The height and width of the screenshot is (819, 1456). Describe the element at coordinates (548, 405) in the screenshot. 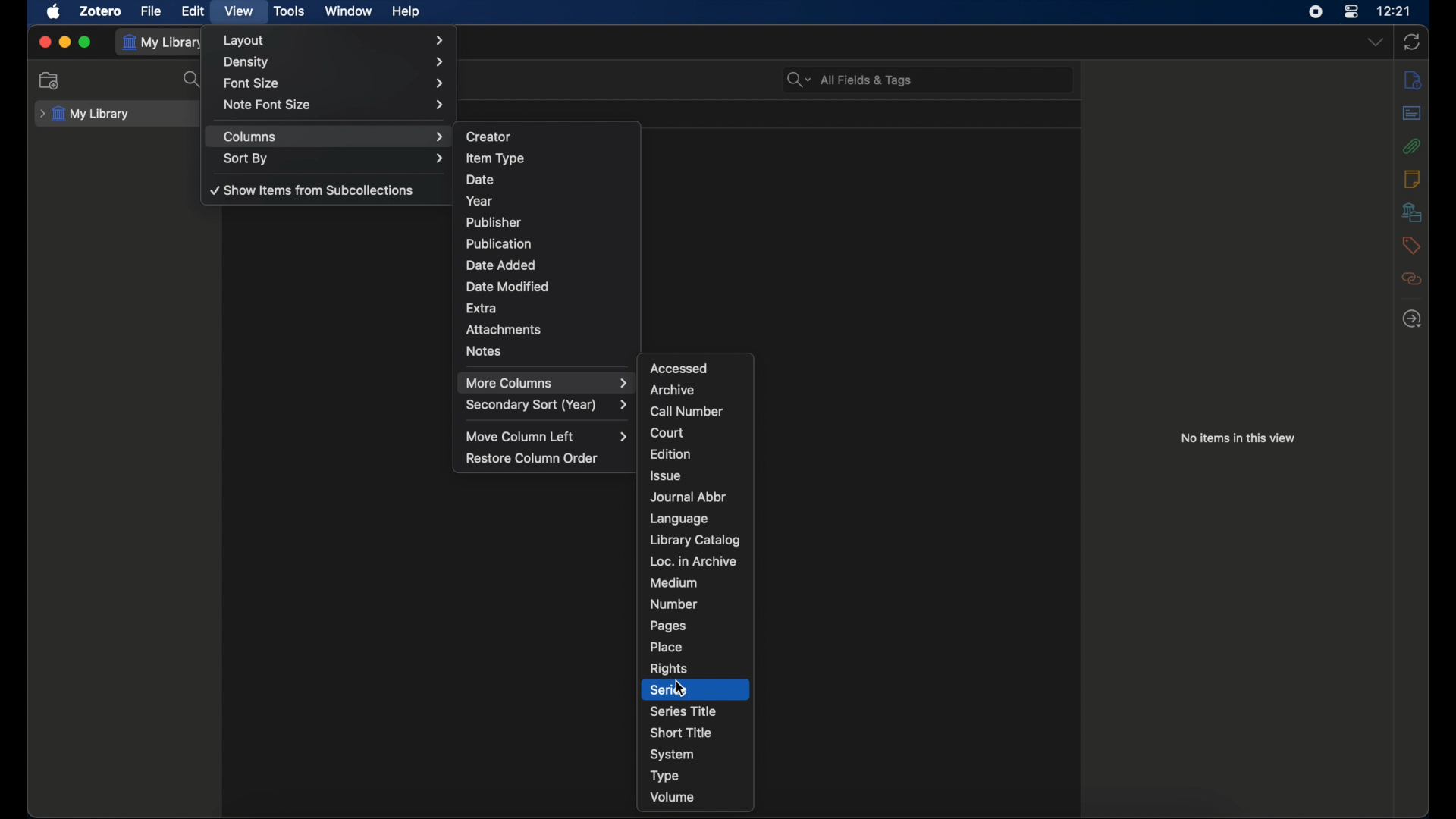

I see `secondary sort` at that location.